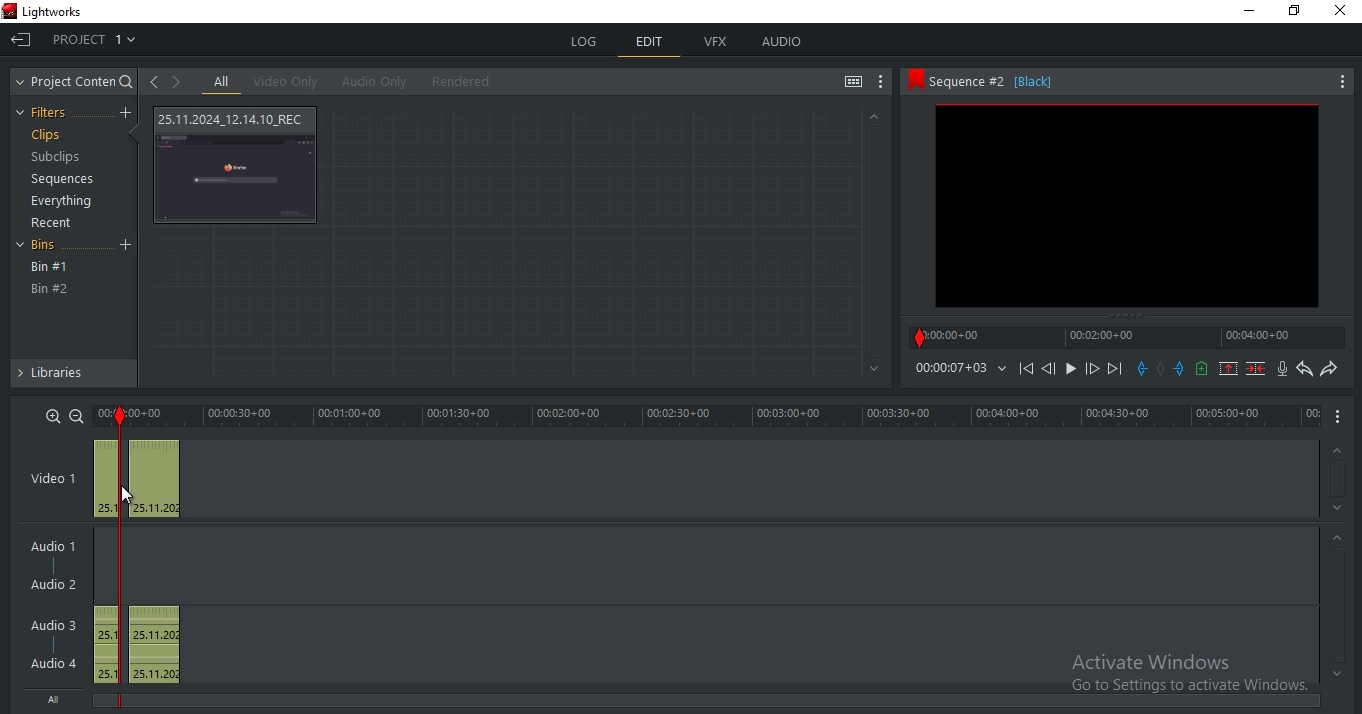  What do you see at coordinates (649, 43) in the screenshot?
I see `edit` at bounding box center [649, 43].